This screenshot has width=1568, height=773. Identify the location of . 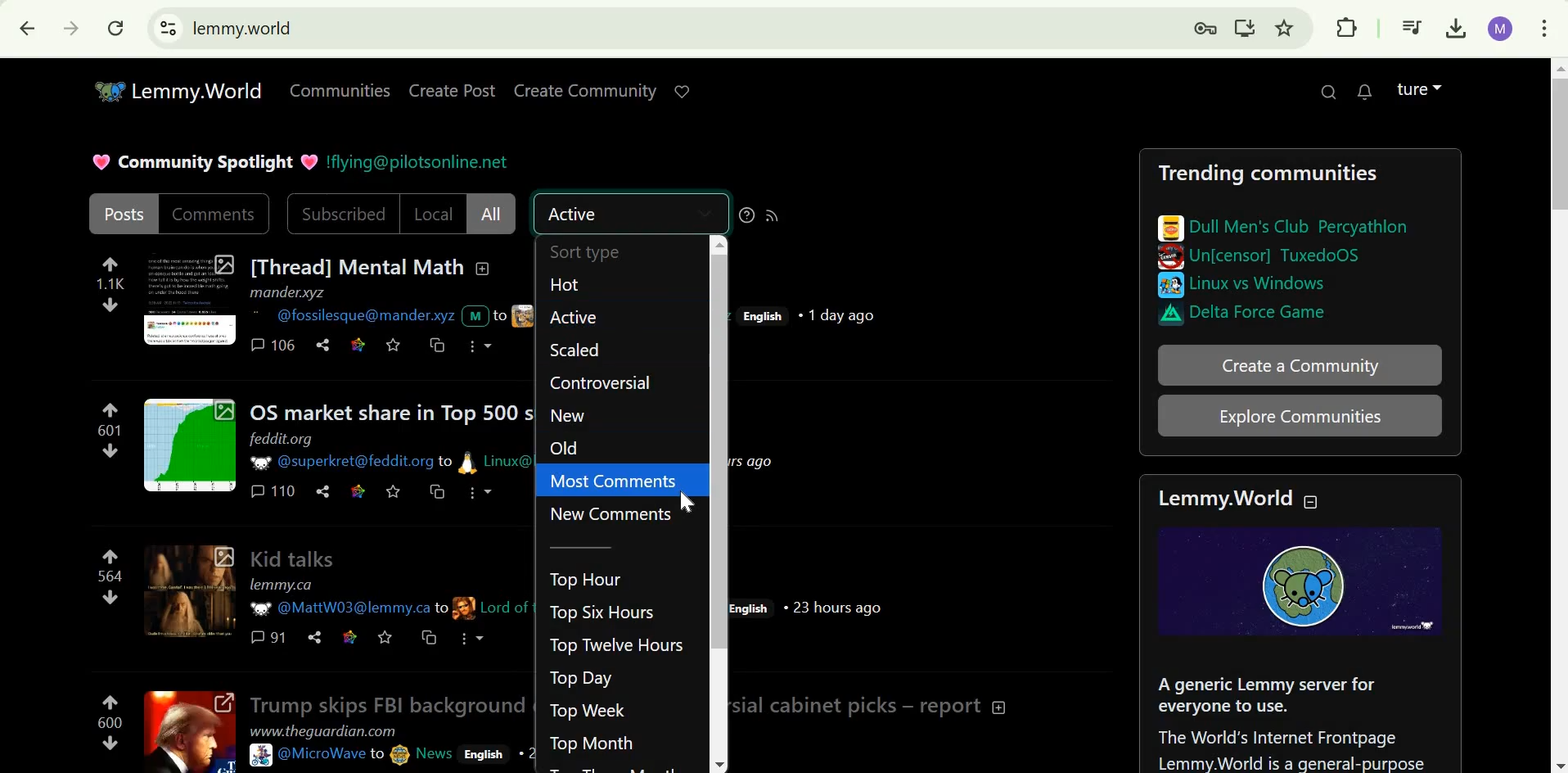
(1169, 286).